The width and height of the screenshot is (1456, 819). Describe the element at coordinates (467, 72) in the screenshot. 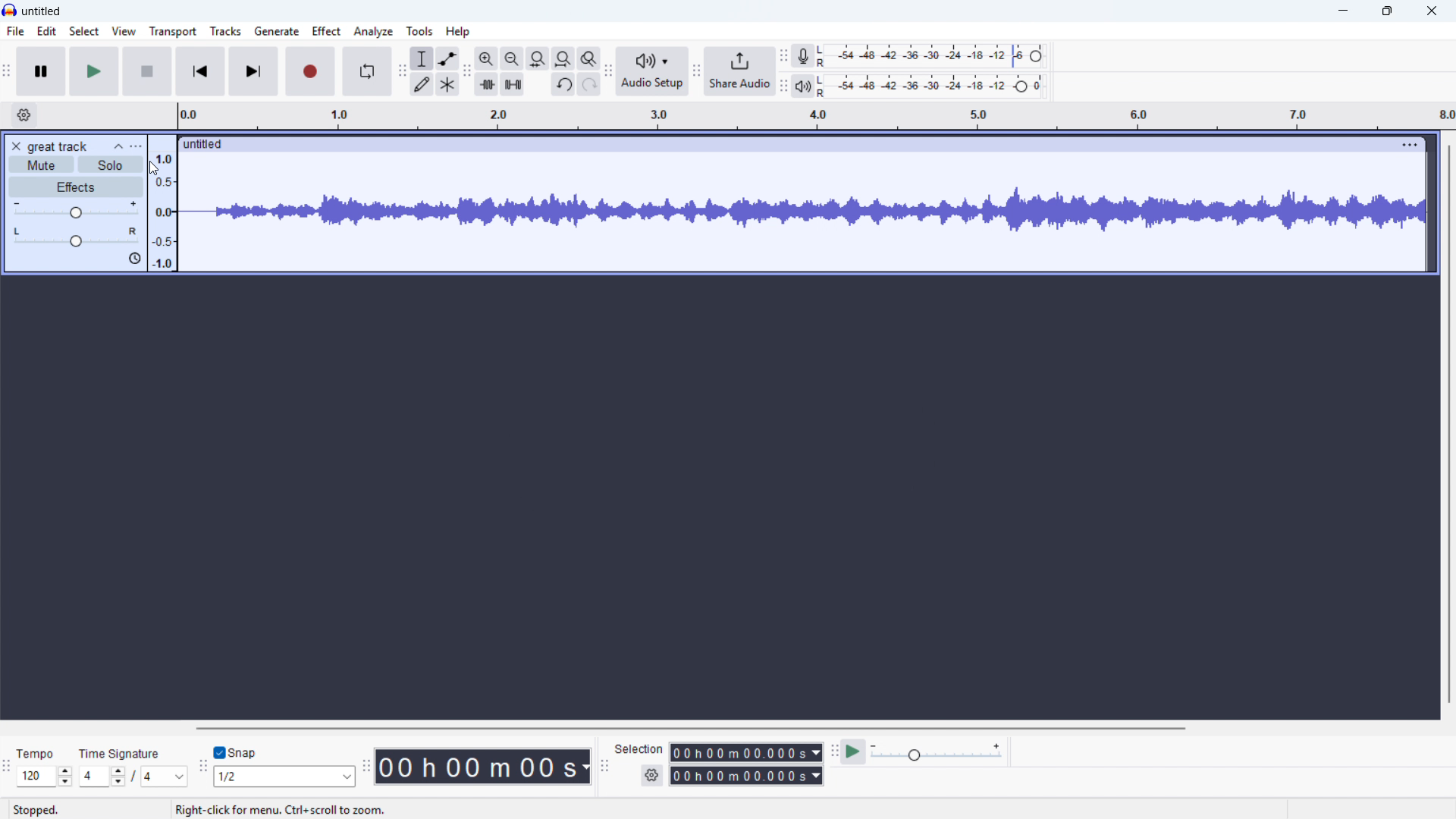

I see `Edit toolbar ` at that location.